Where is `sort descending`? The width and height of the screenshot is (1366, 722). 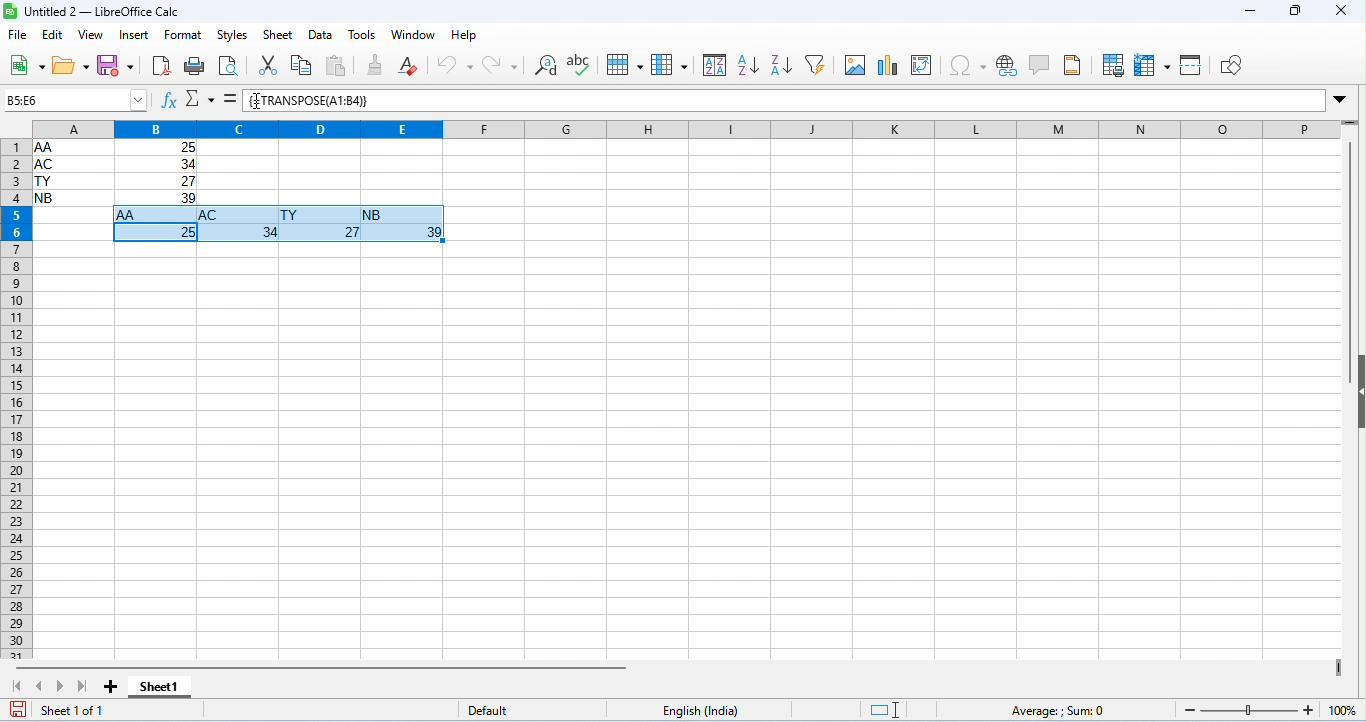
sort descending is located at coordinates (782, 64).